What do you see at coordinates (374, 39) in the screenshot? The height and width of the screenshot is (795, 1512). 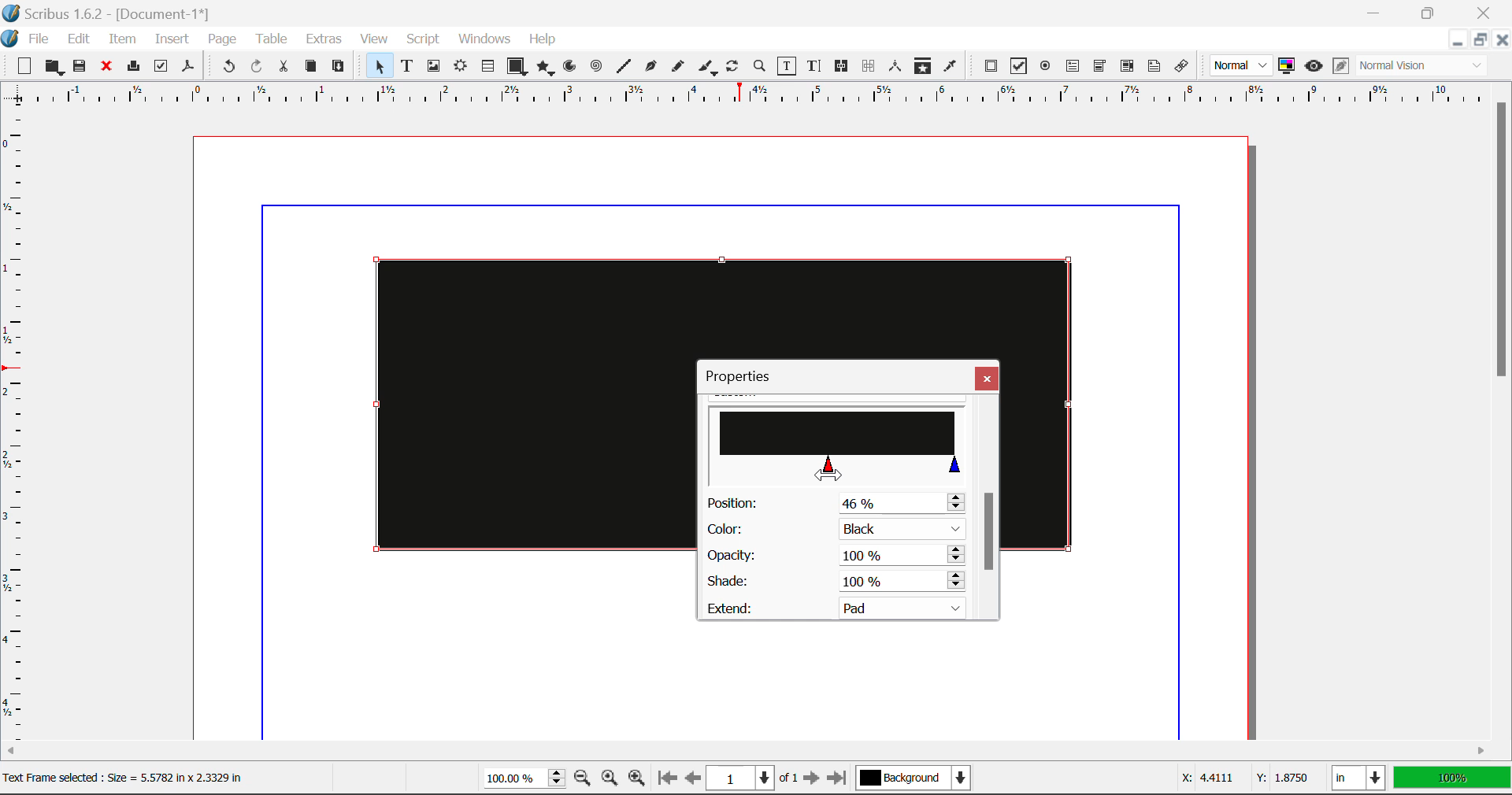 I see `View` at bounding box center [374, 39].